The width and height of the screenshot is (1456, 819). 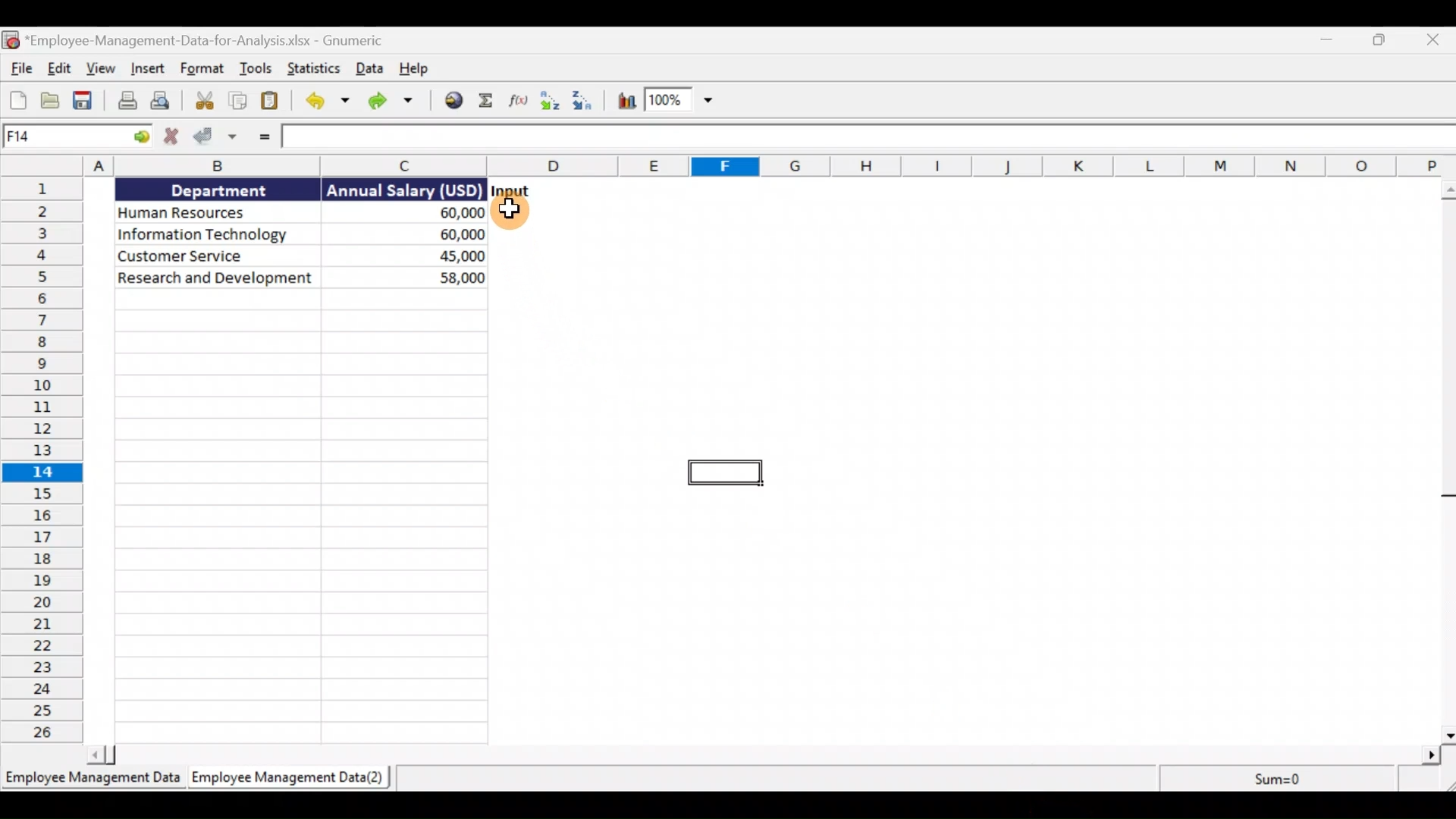 What do you see at coordinates (90, 777) in the screenshot?
I see `Sheet 1` at bounding box center [90, 777].